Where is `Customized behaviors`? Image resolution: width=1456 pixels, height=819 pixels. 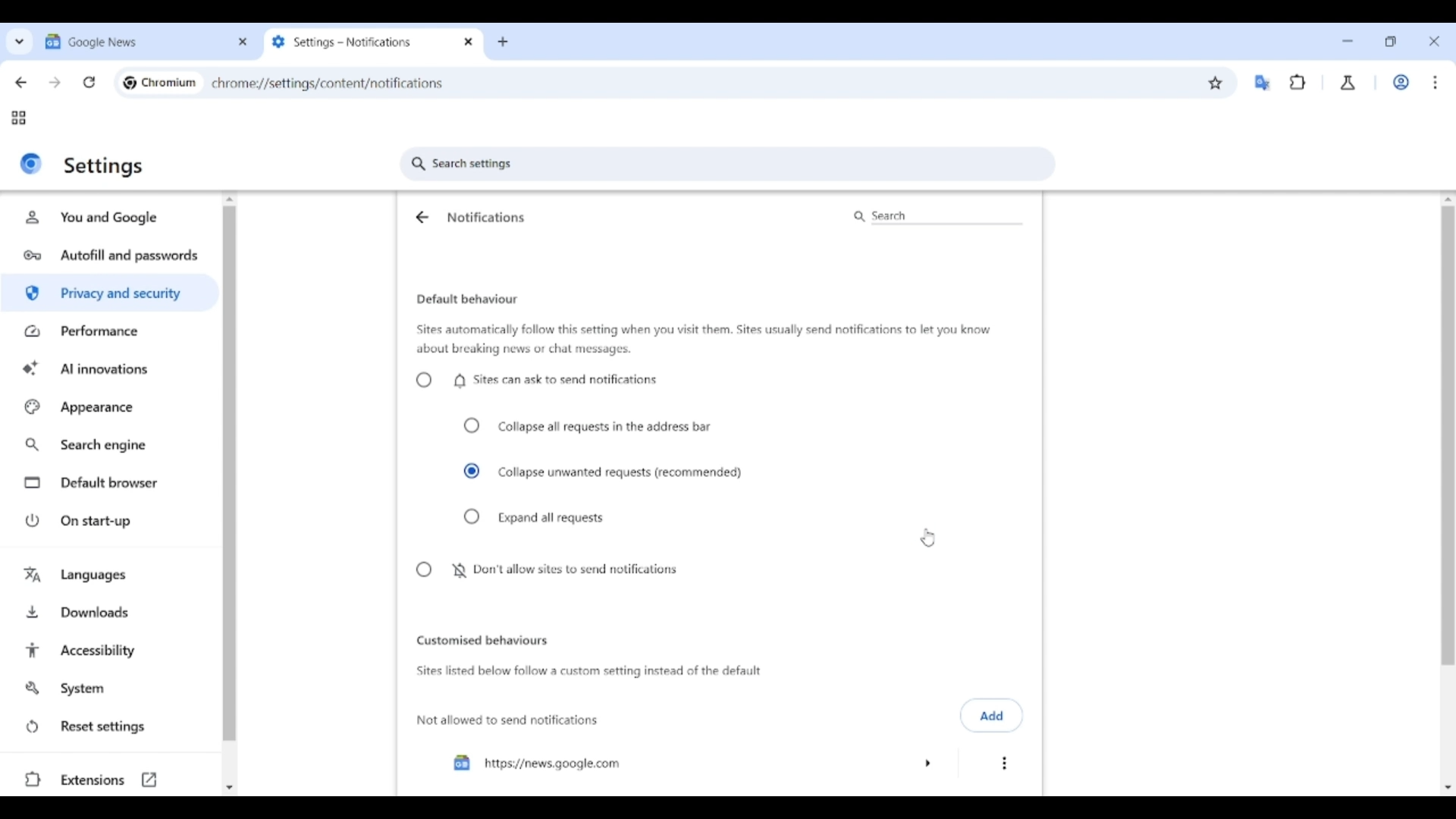
Customized behaviors is located at coordinates (482, 640).